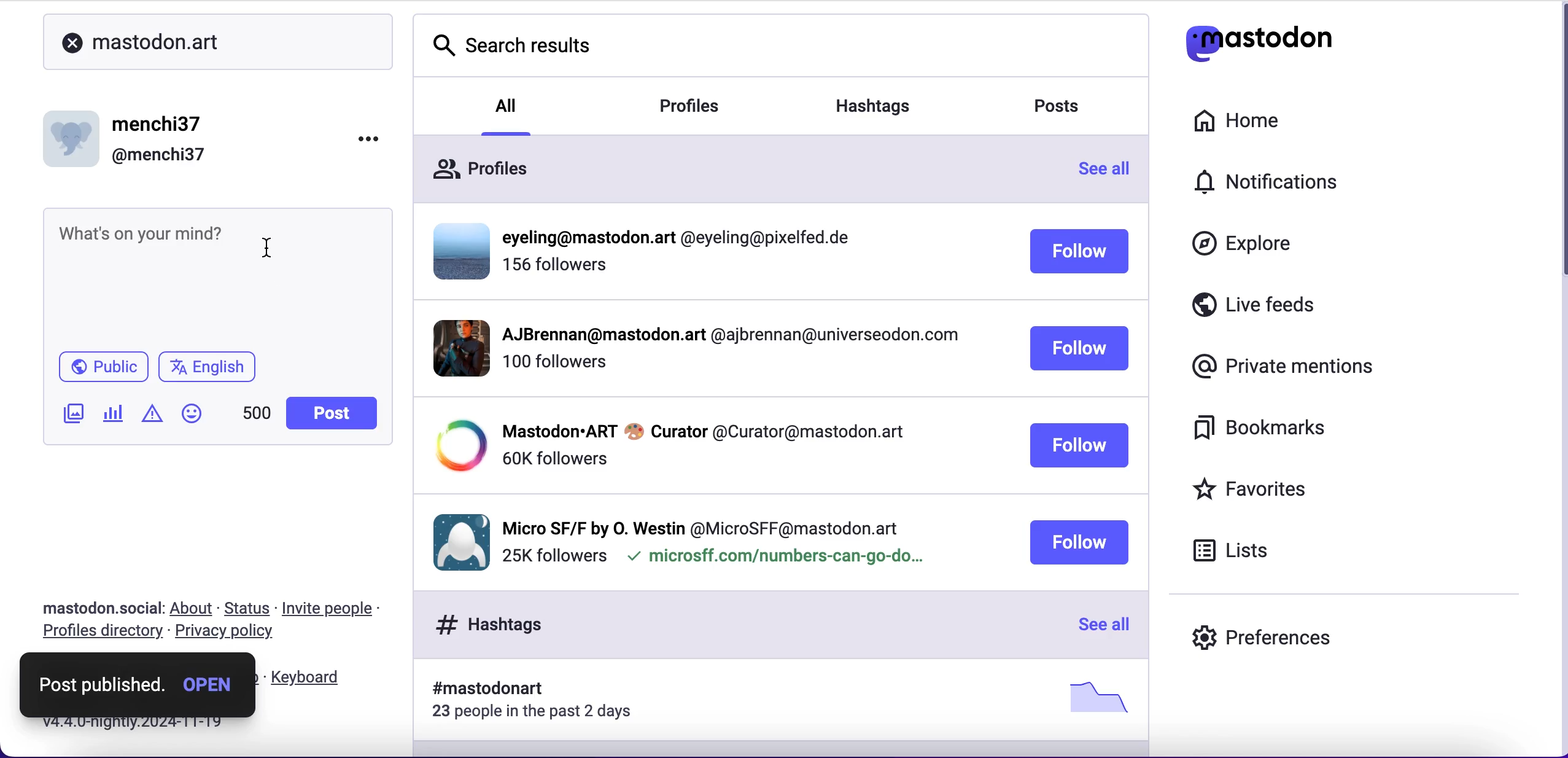  Describe the element at coordinates (514, 44) in the screenshot. I see `search results` at that location.